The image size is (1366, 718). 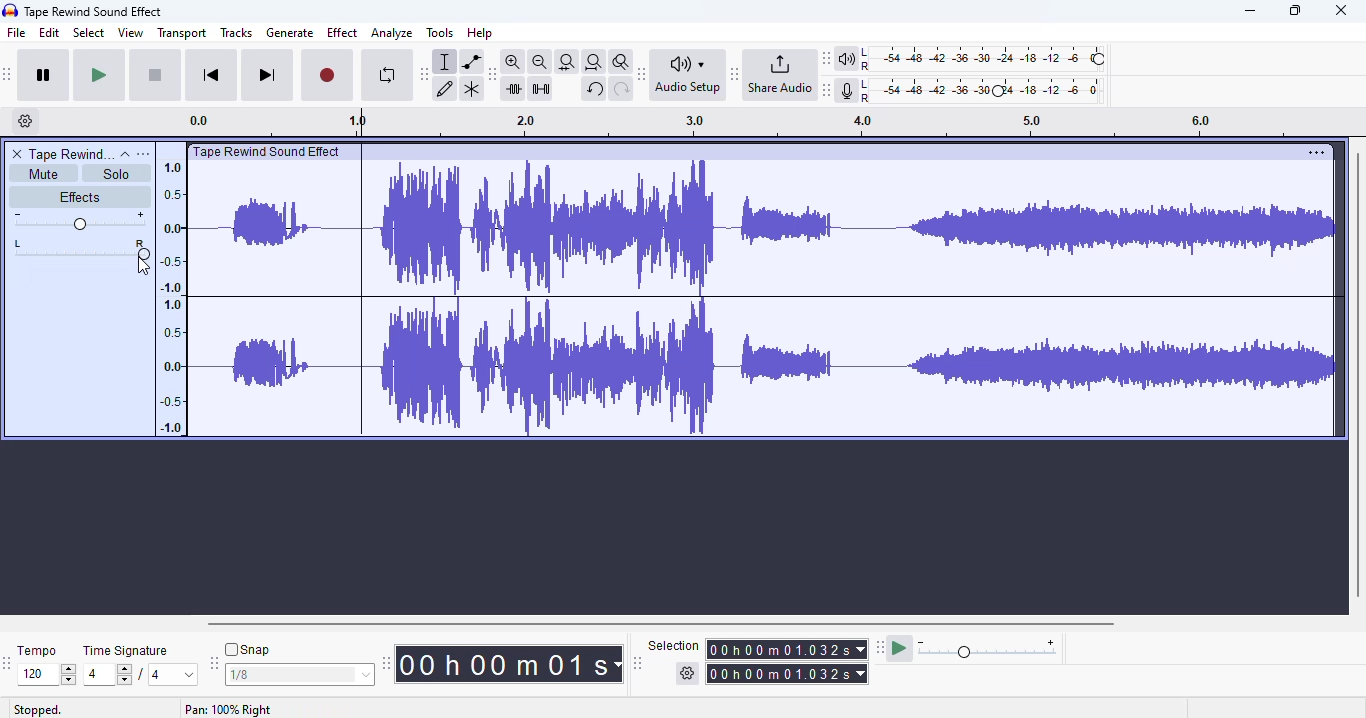 What do you see at coordinates (735, 73) in the screenshot?
I see `audacity share audio toolbar` at bounding box center [735, 73].